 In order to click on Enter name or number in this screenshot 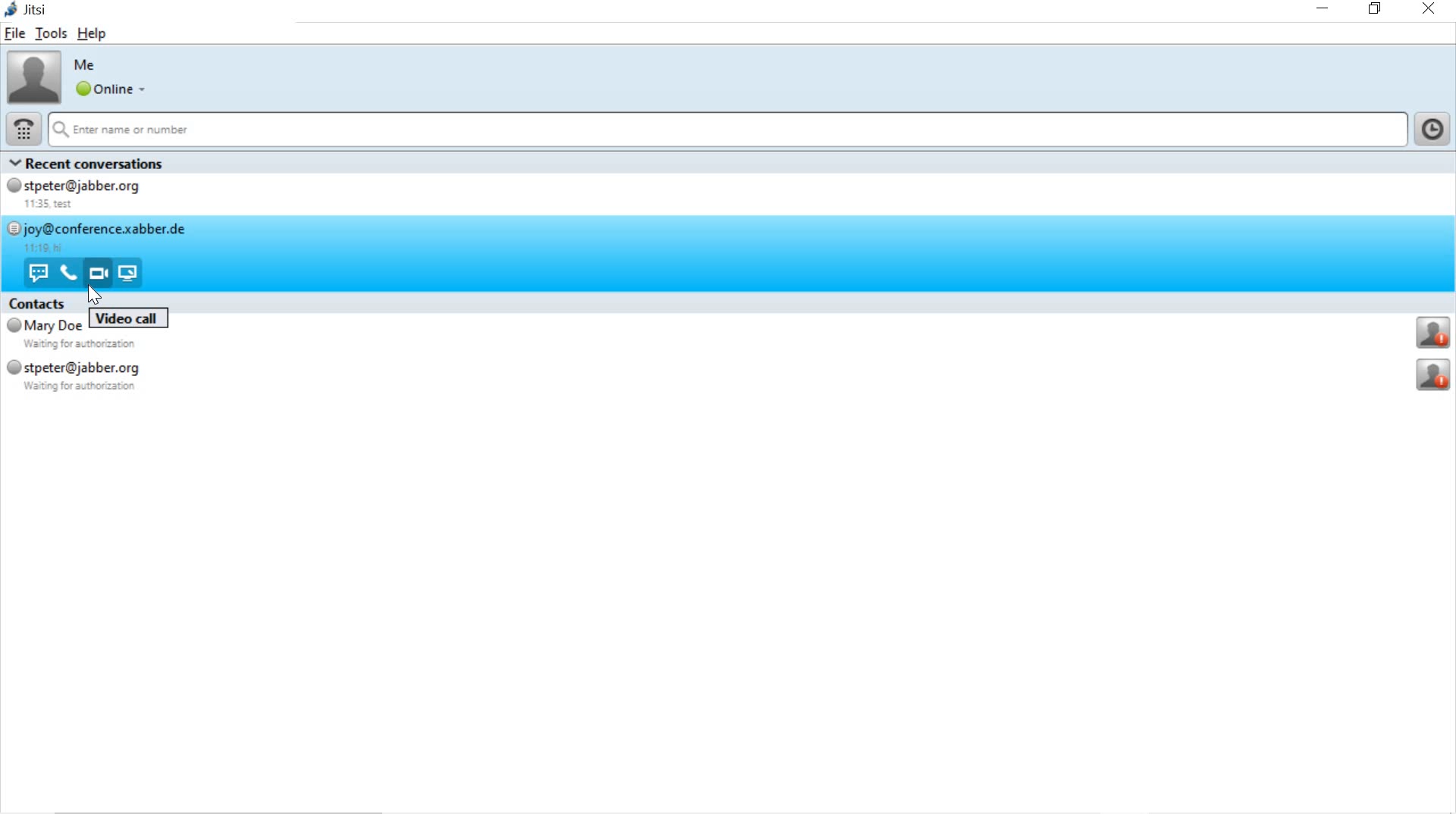, I will do `click(726, 130)`.